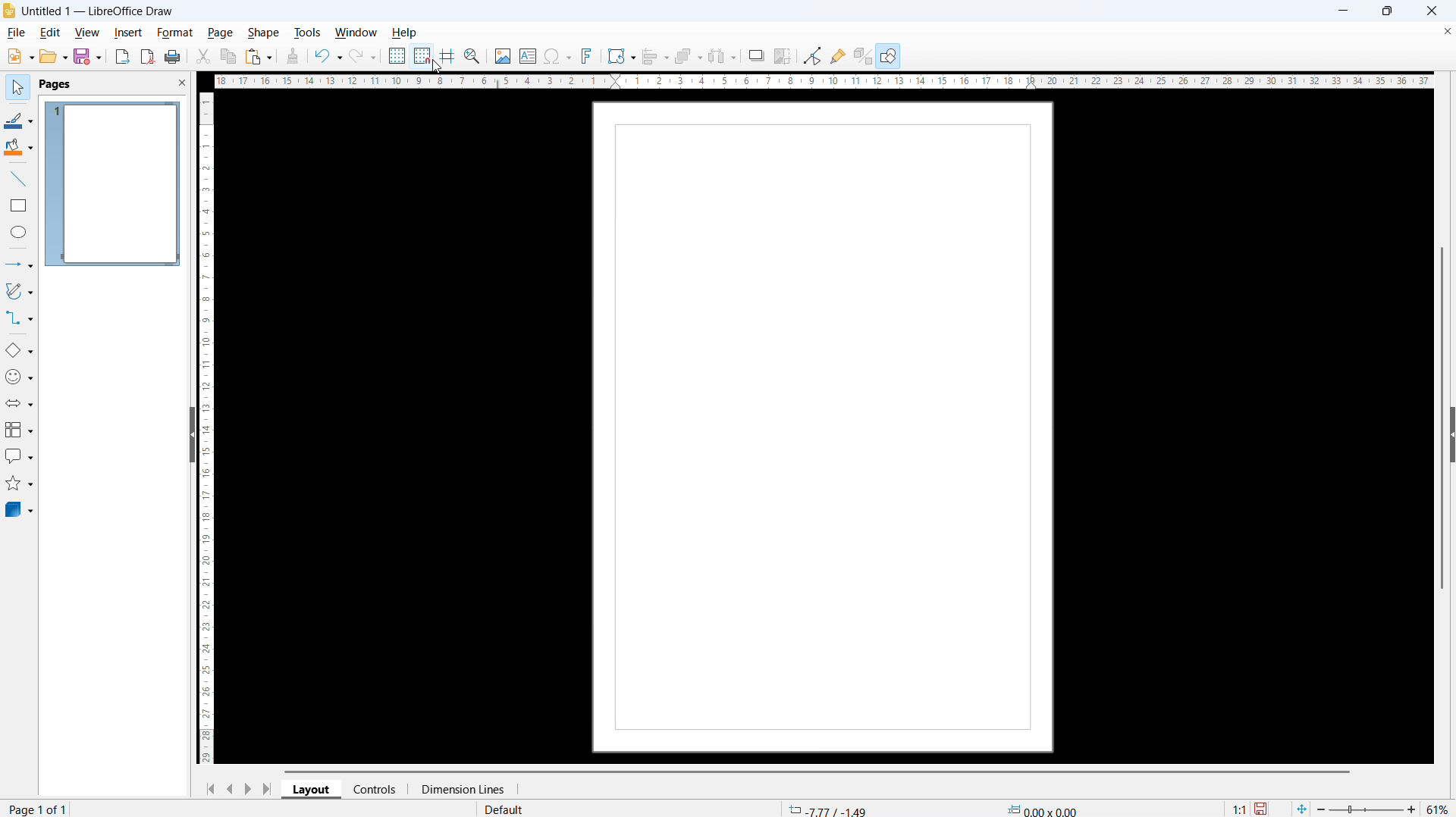 The height and width of the screenshot is (817, 1456). What do you see at coordinates (403, 33) in the screenshot?
I see `help ` at bounding box center [403, 33].